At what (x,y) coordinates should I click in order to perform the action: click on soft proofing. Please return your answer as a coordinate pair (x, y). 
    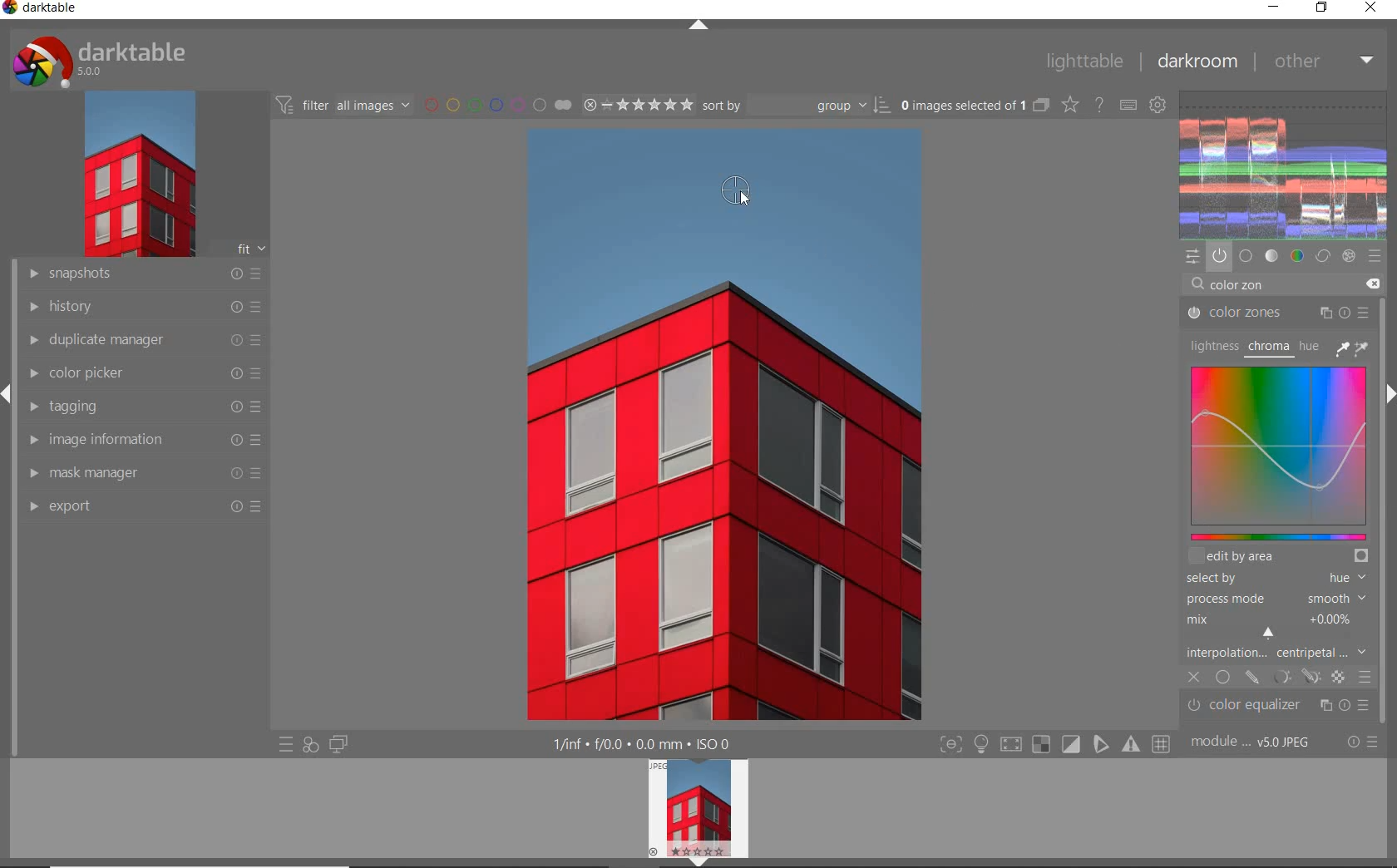
    Looking at the image, I should click on (1072, 744).